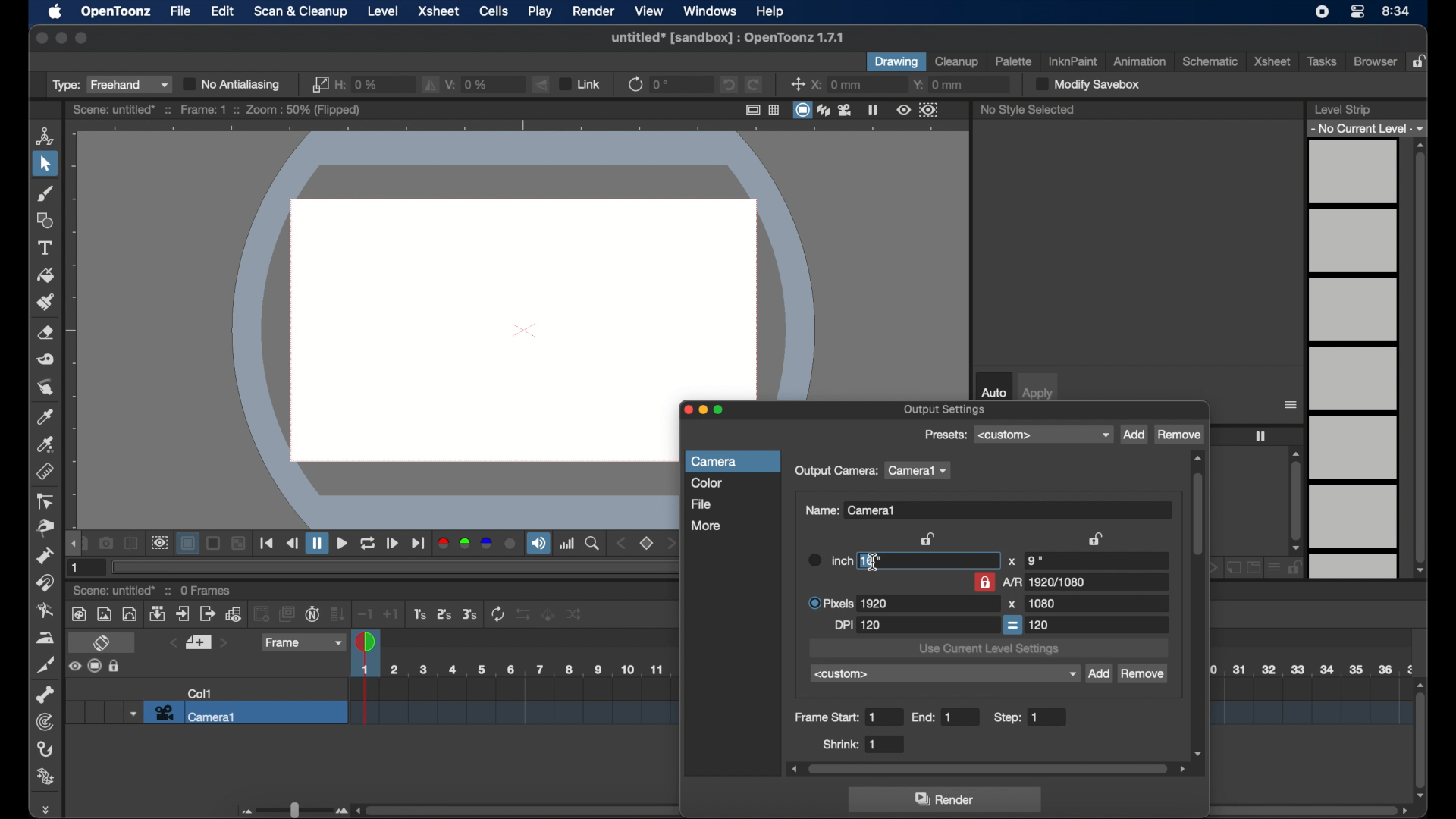 Image resolution: width=1456 pixels, height=819 pixels. What do you see at coordinates (1257, 567) in the screenshot?
I see `` at bounding box center [1257, 567].